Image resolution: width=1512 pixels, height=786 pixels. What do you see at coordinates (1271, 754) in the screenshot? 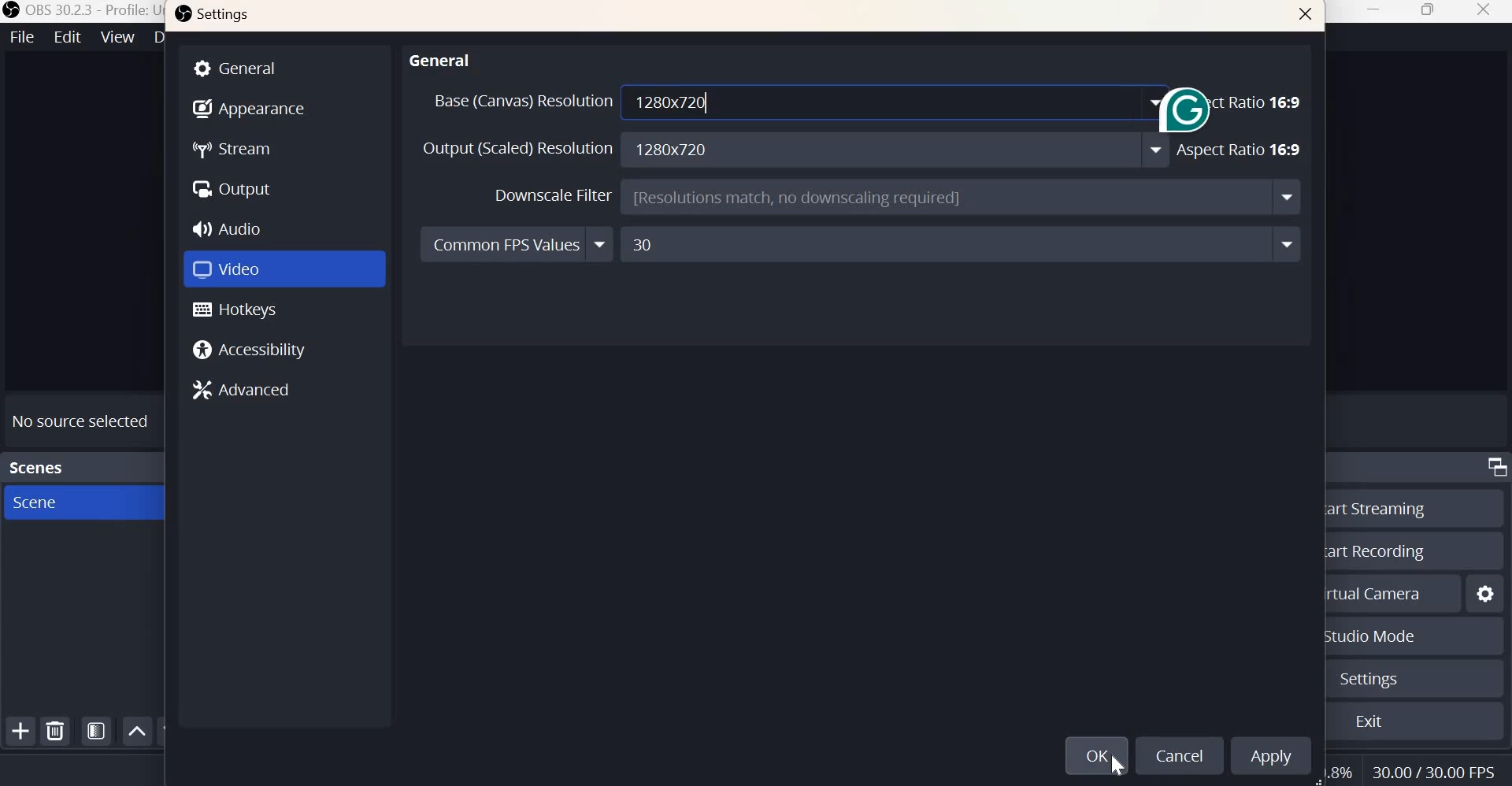
I see `Apply` at bounding box center [1271, 754].